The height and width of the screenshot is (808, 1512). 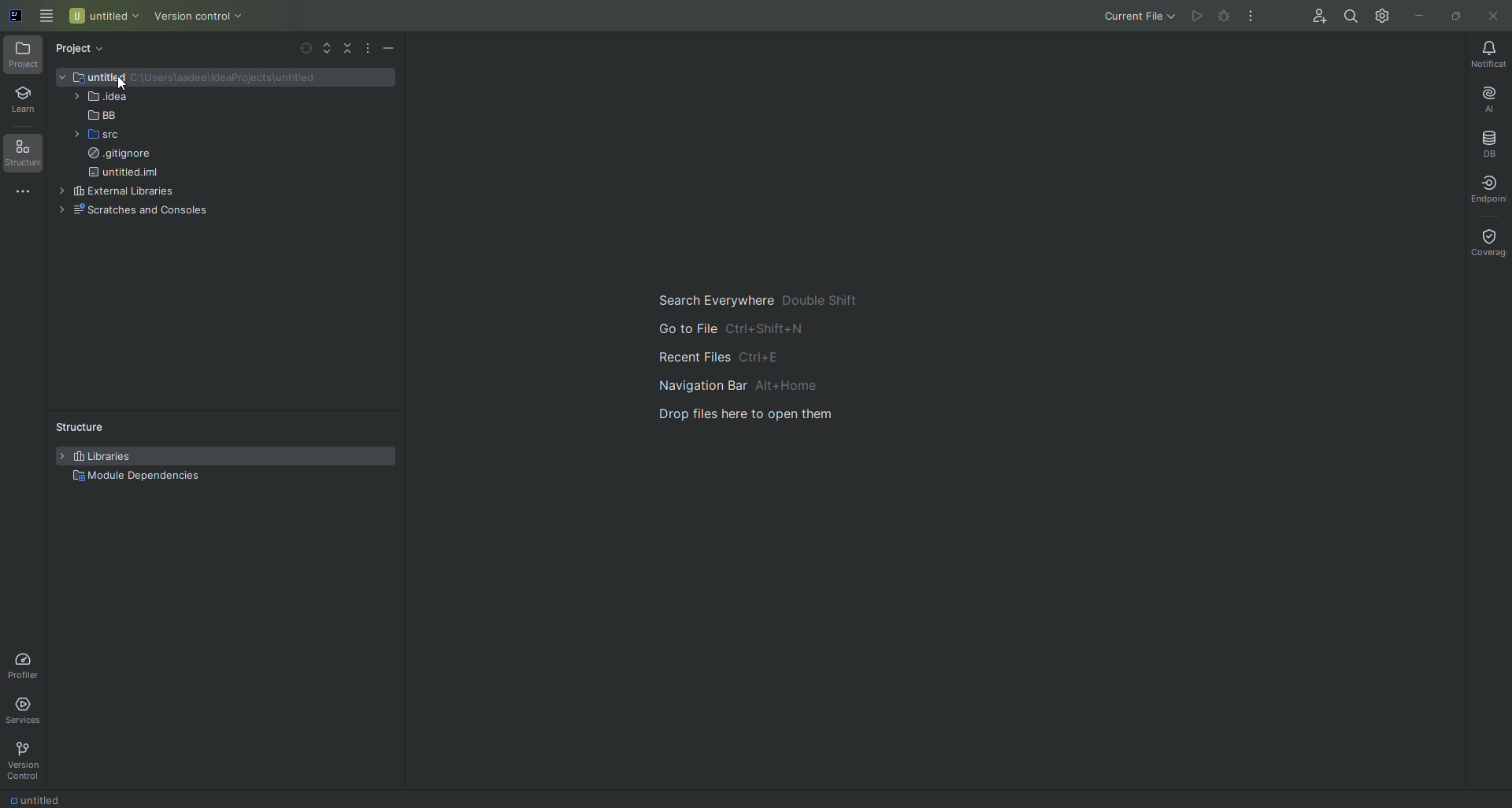 What do you see at coordinates (90, 136) in the screenshot?
I see `src` at bounding box center [90, 136].